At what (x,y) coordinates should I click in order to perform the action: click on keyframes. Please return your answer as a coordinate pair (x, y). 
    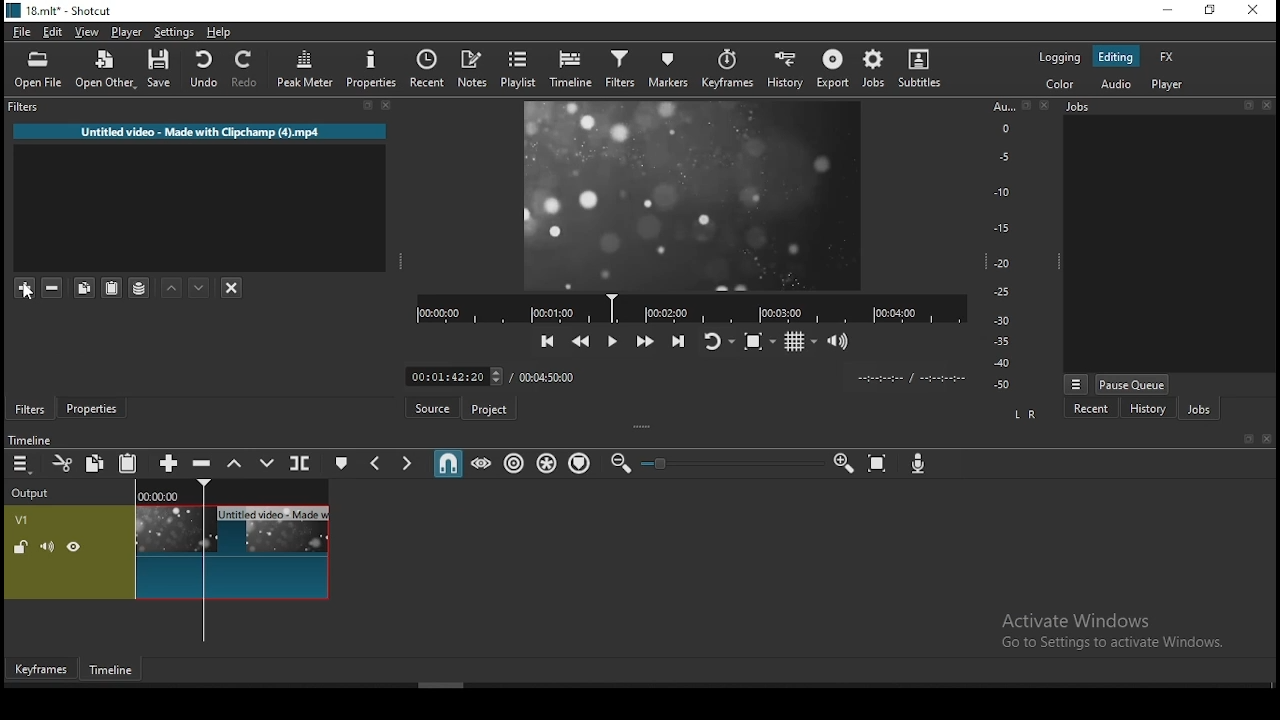
    Looking at the image, I should click on (727, 70).